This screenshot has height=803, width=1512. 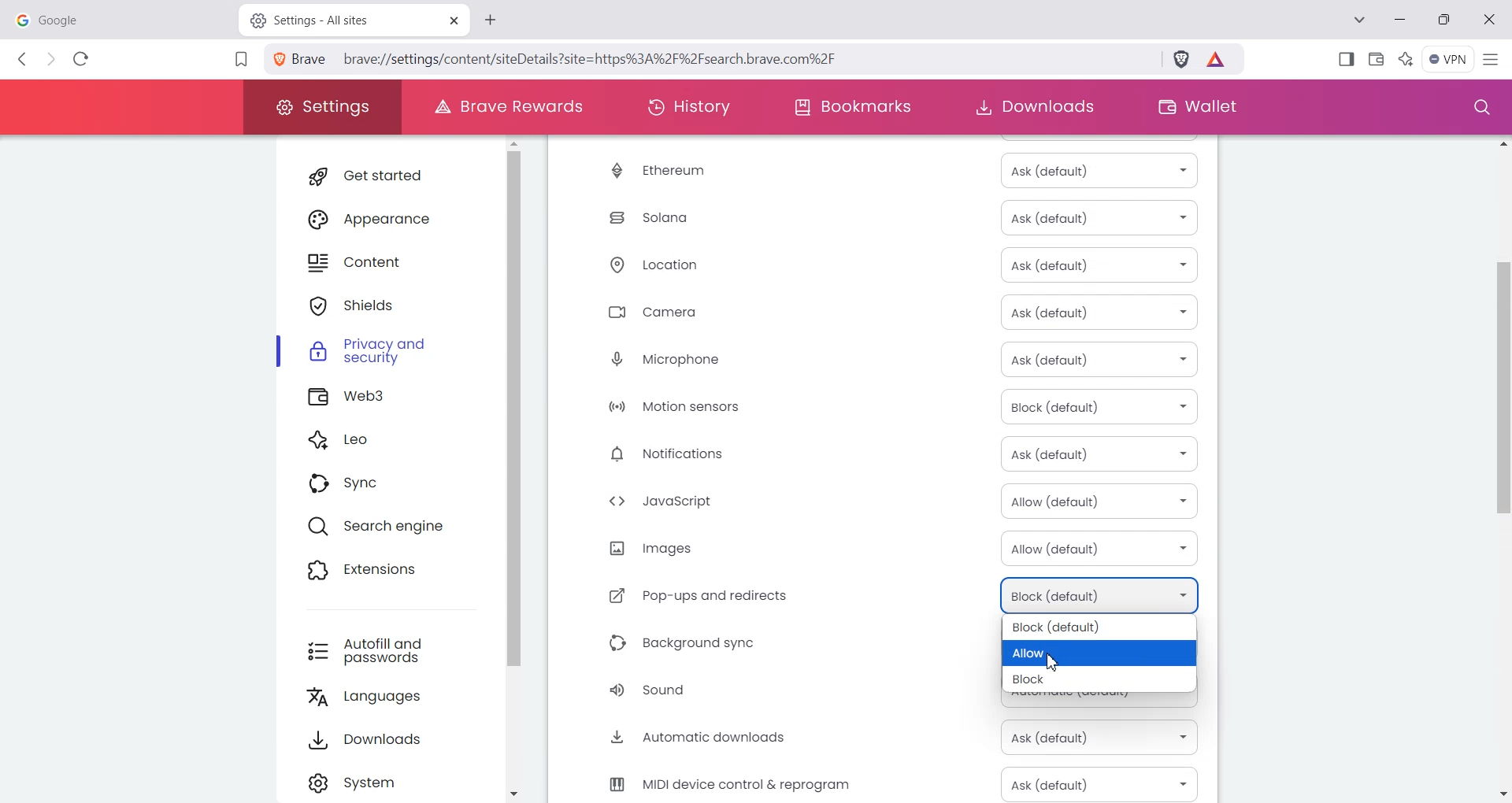 What do you see at coordinates (1098, 652) in the screenshot?
I see `Allow` at bounding box center [1098, 652].